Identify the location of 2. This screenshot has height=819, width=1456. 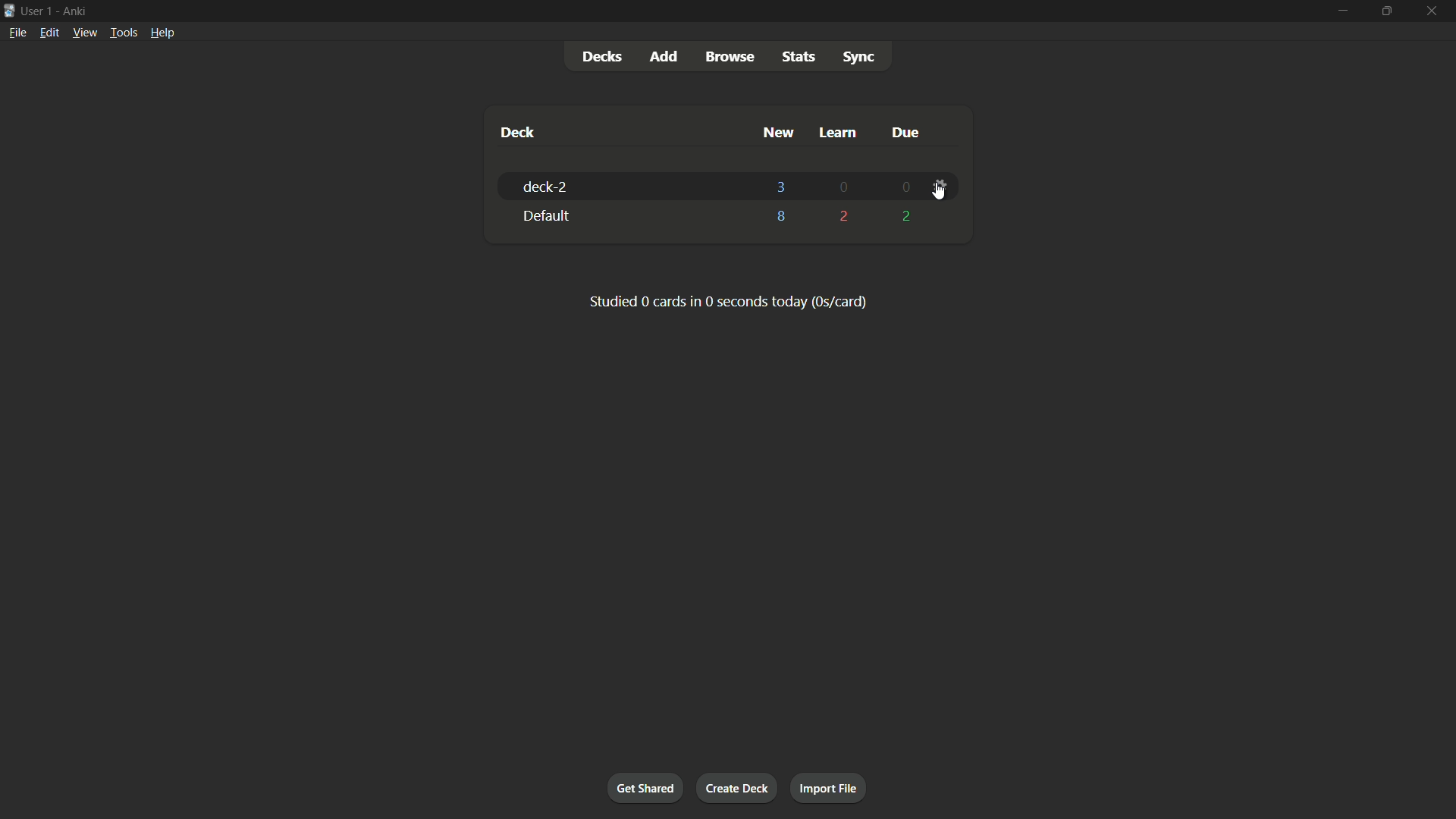
(903, 216).